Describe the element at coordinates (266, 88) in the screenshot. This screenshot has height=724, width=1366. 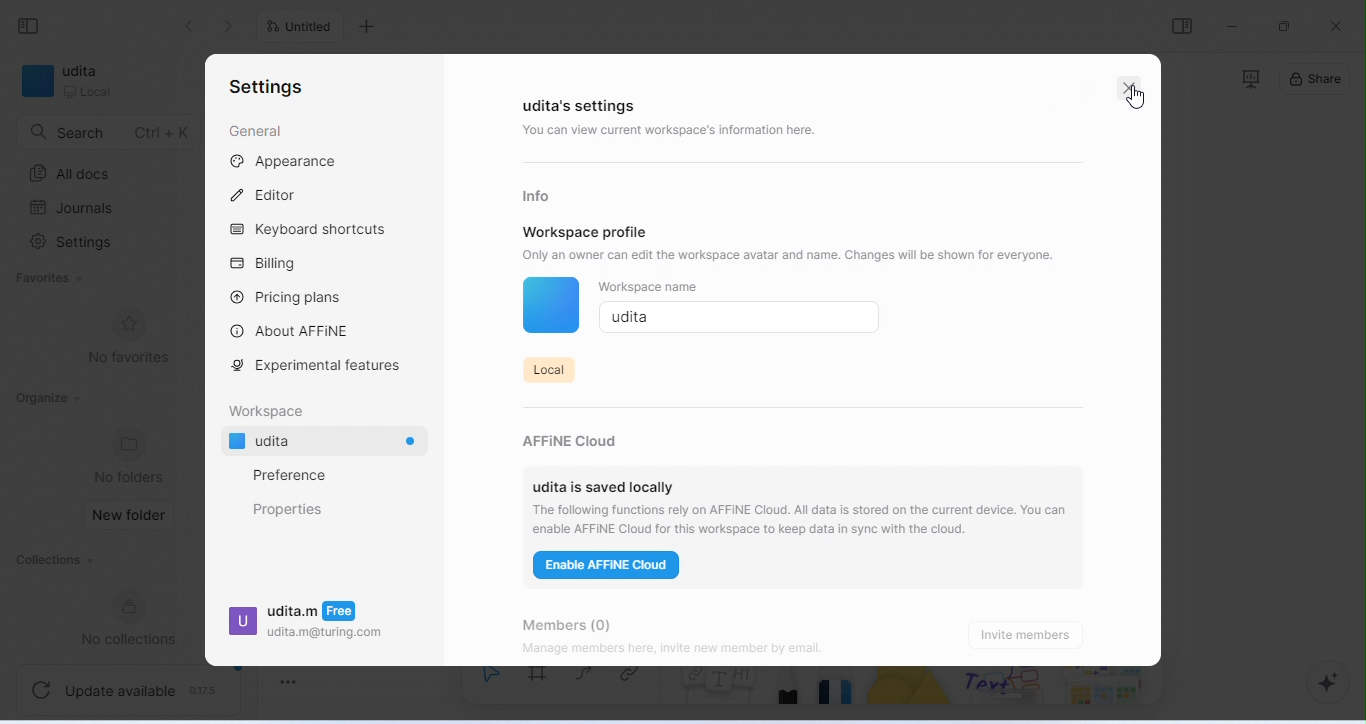
I see `settings` at that location.